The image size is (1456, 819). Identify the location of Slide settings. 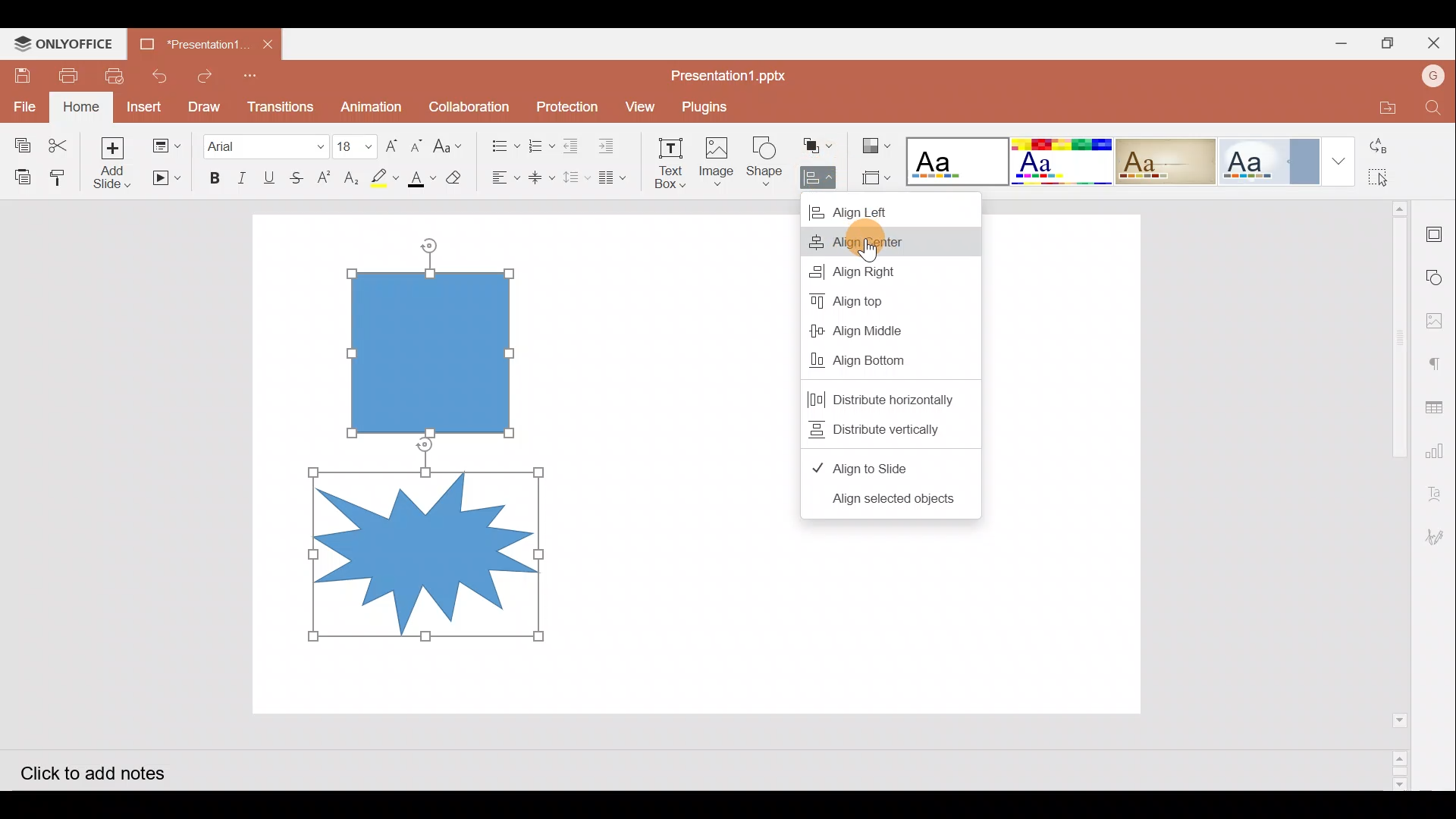
(1437, 231).